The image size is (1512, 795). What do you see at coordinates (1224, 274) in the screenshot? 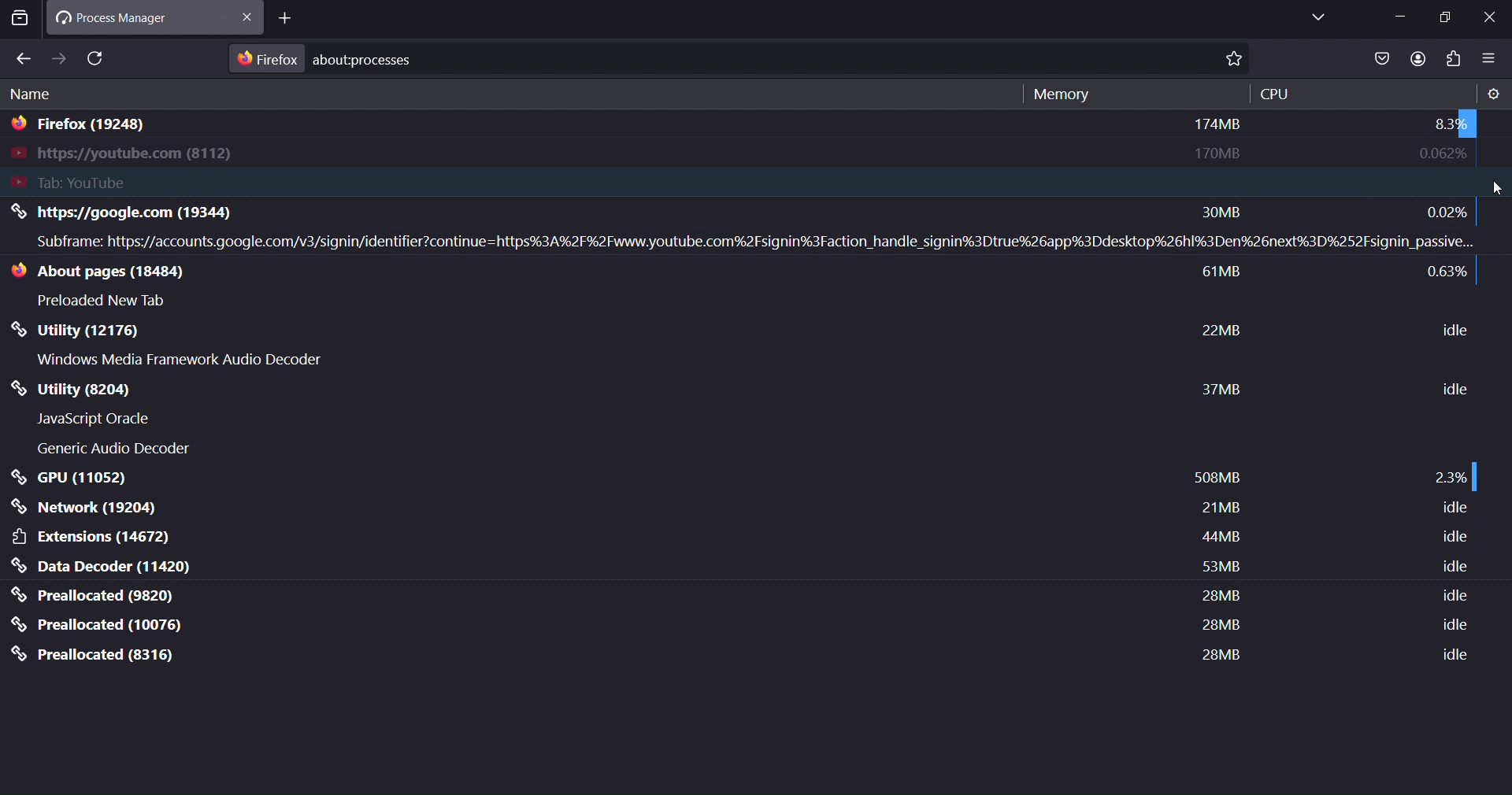
I see `61 mb` at bounding box center [1224, 274].